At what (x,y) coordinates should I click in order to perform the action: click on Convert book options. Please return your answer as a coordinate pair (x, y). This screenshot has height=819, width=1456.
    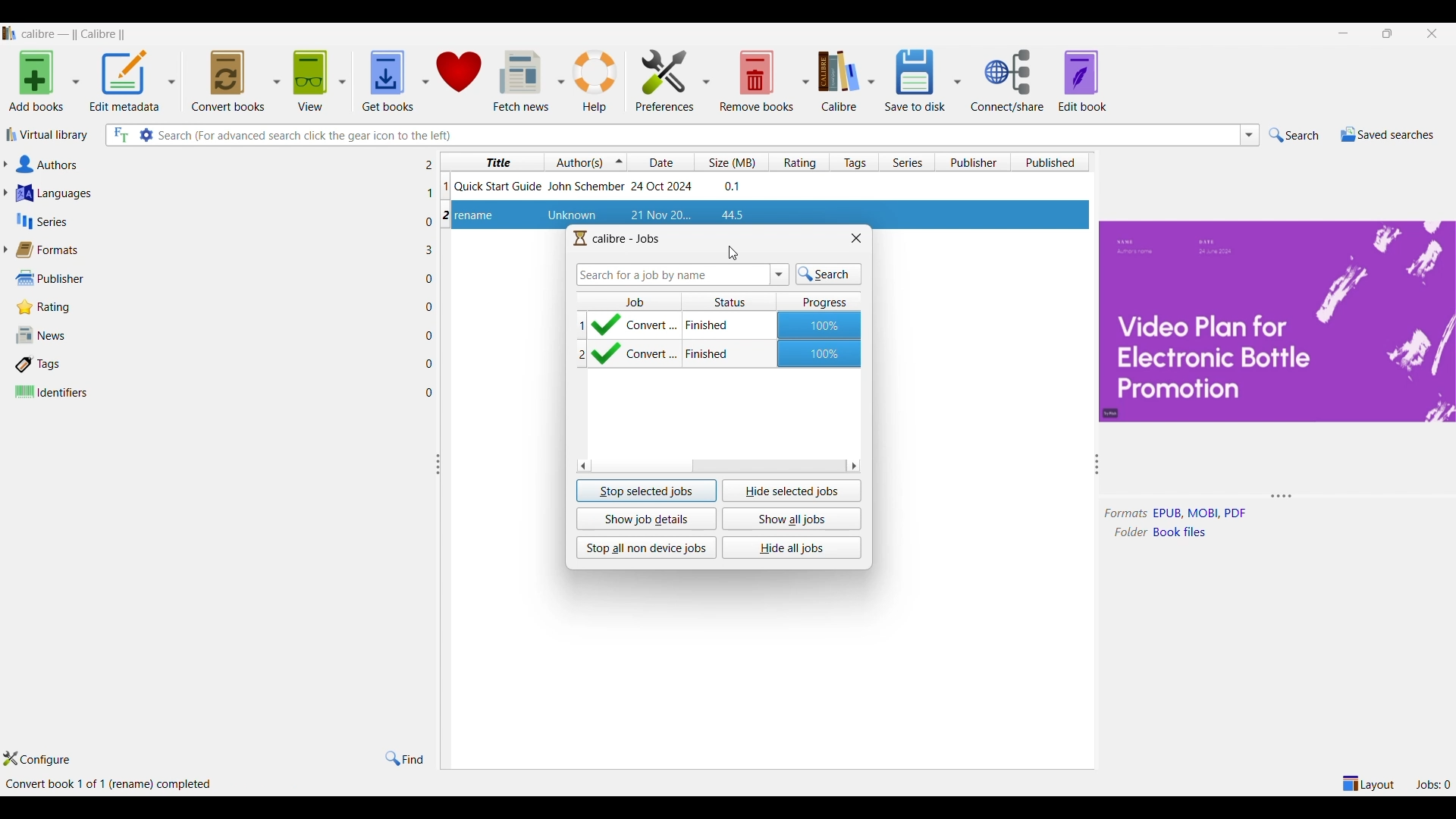
    Looking at the image, I should click on (276, 80).